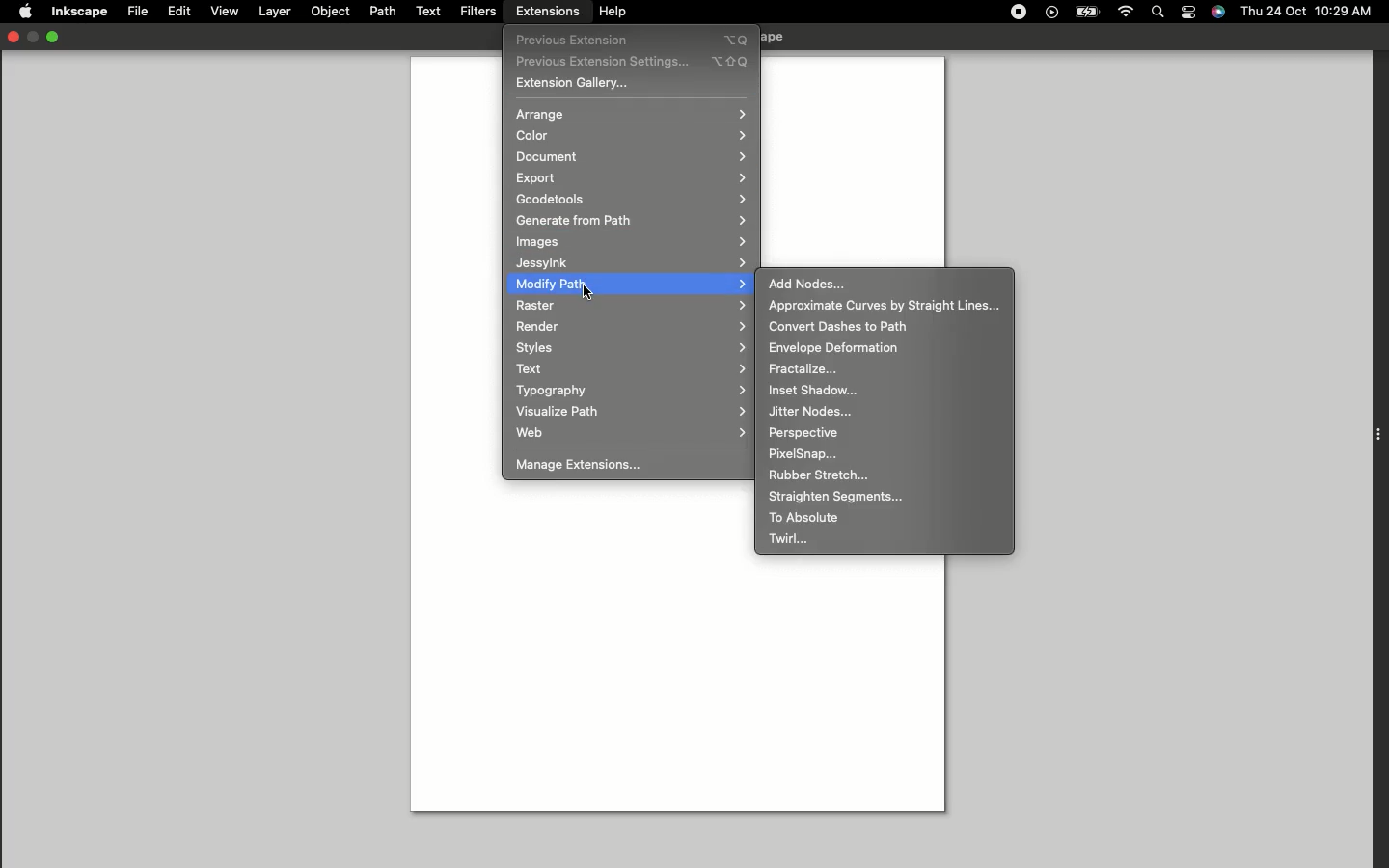  What do you see at coordinates (387, 13) in the screenshot?
I see `Path` at bounding box center [387, 13].